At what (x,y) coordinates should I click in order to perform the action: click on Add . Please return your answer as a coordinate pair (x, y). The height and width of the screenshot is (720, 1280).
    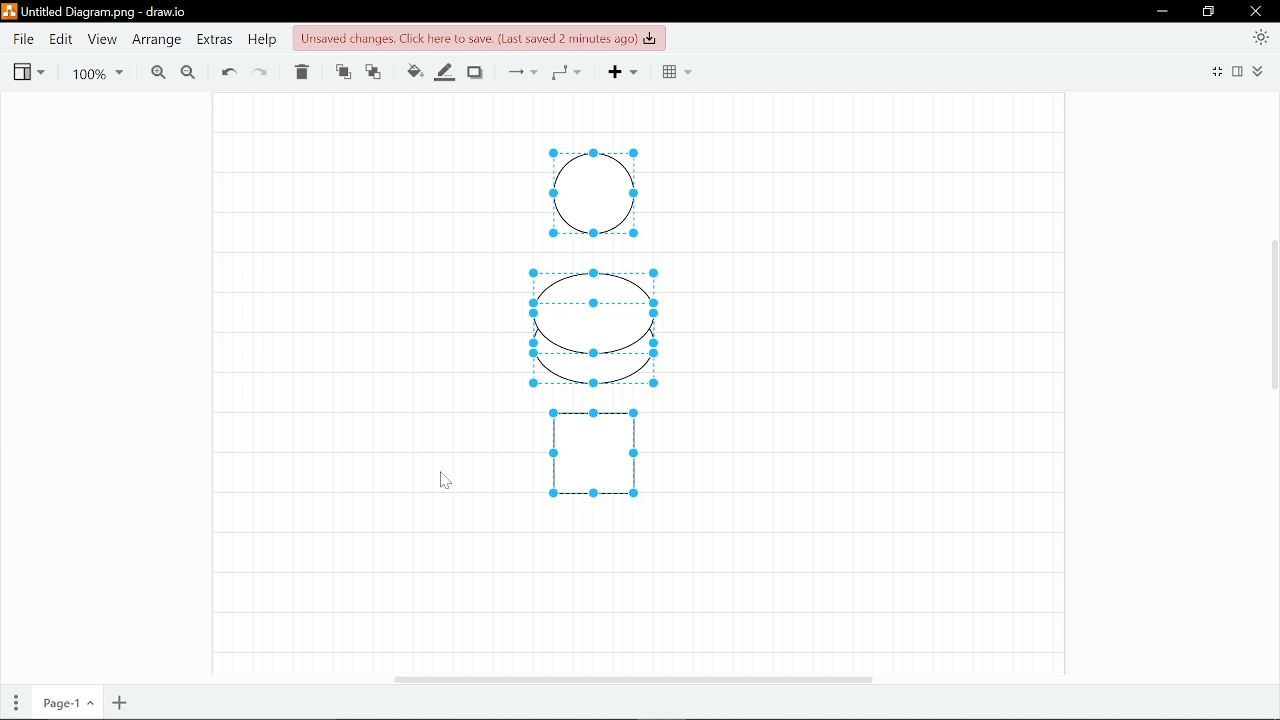
    Looking at the image, I should click on (618, 72).